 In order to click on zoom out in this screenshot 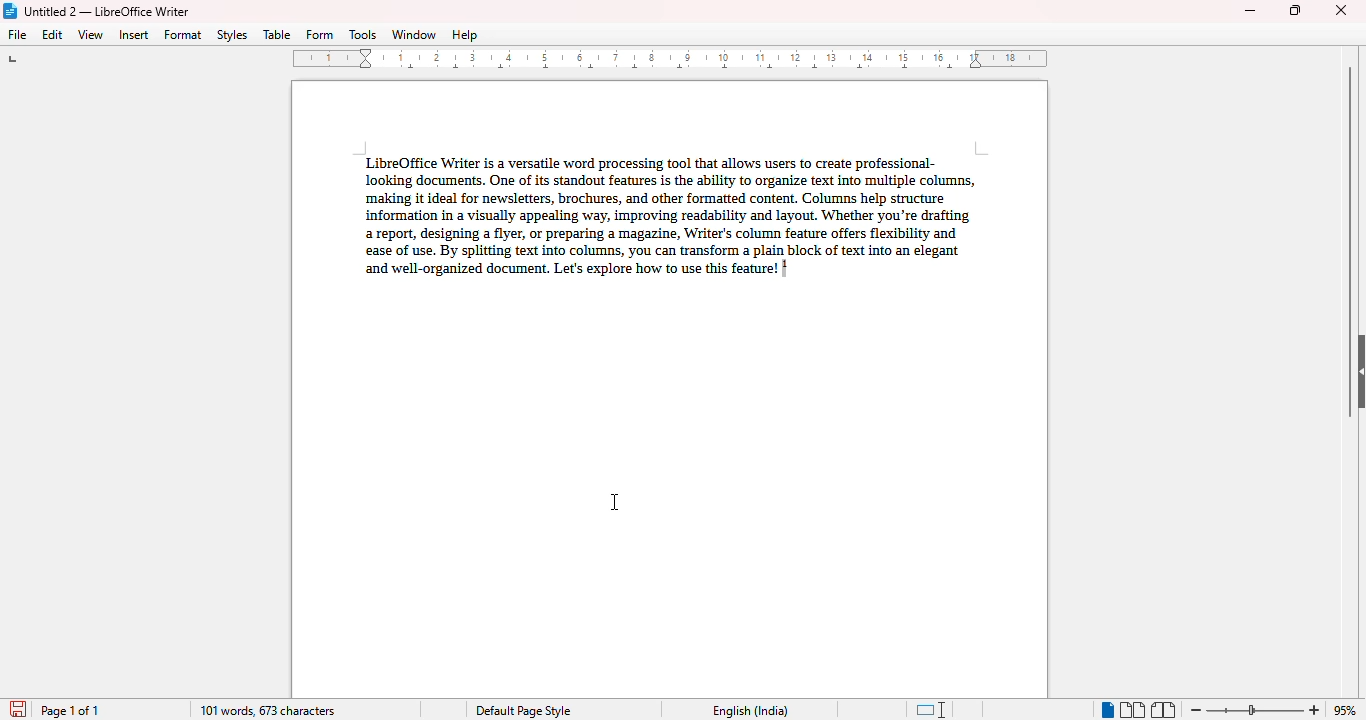, I will do `click(1197, 710)`.